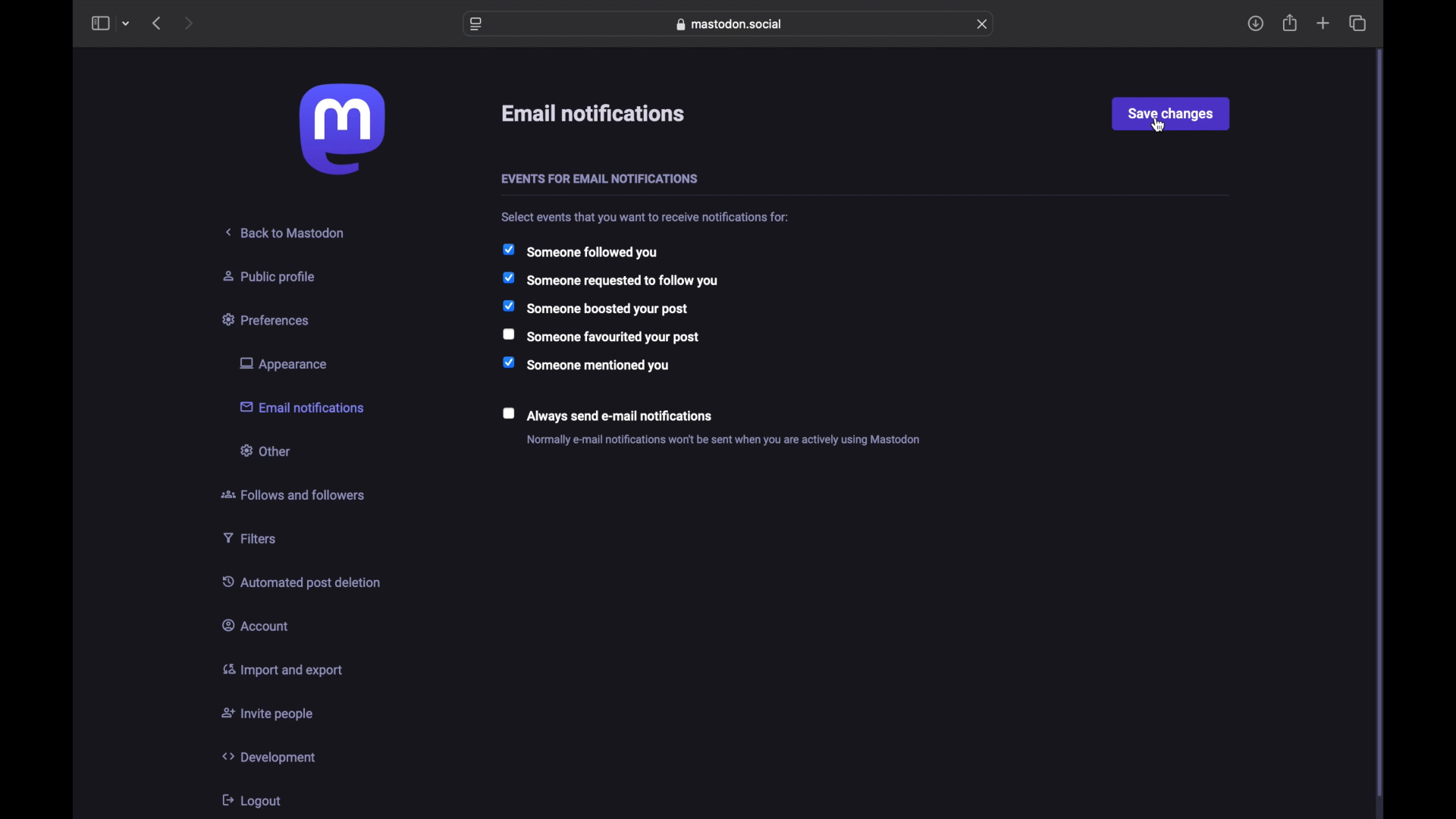 The image size is (1456, 819). What do you see at coordinates (1380, 425) in the screenshot?
I see `scroll bar` at bounding box center [1380, 425].